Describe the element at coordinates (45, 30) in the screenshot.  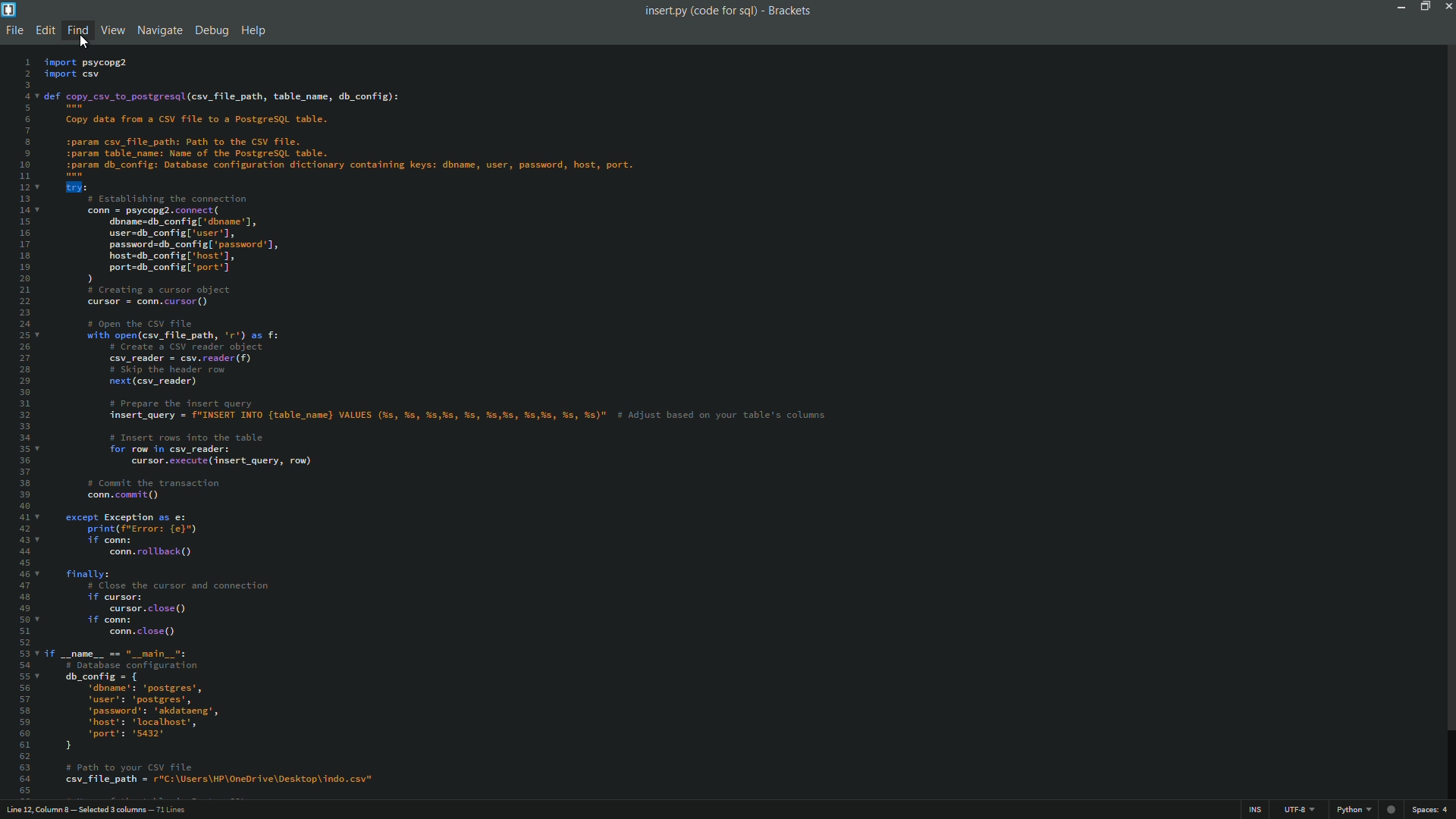
I see `edit menu` at that location.